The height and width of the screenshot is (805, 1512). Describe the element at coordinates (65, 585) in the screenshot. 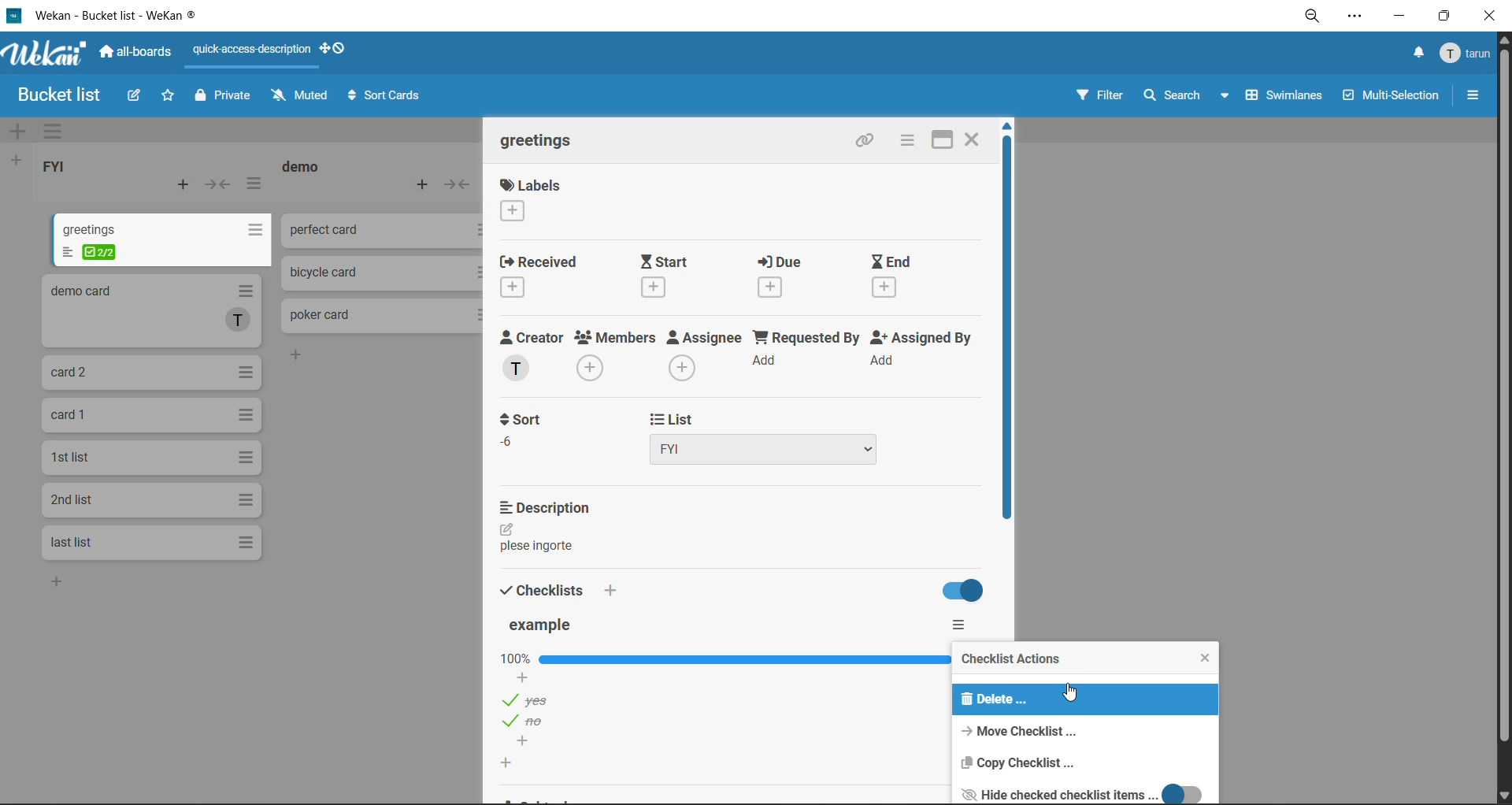

I see `add` at that location.